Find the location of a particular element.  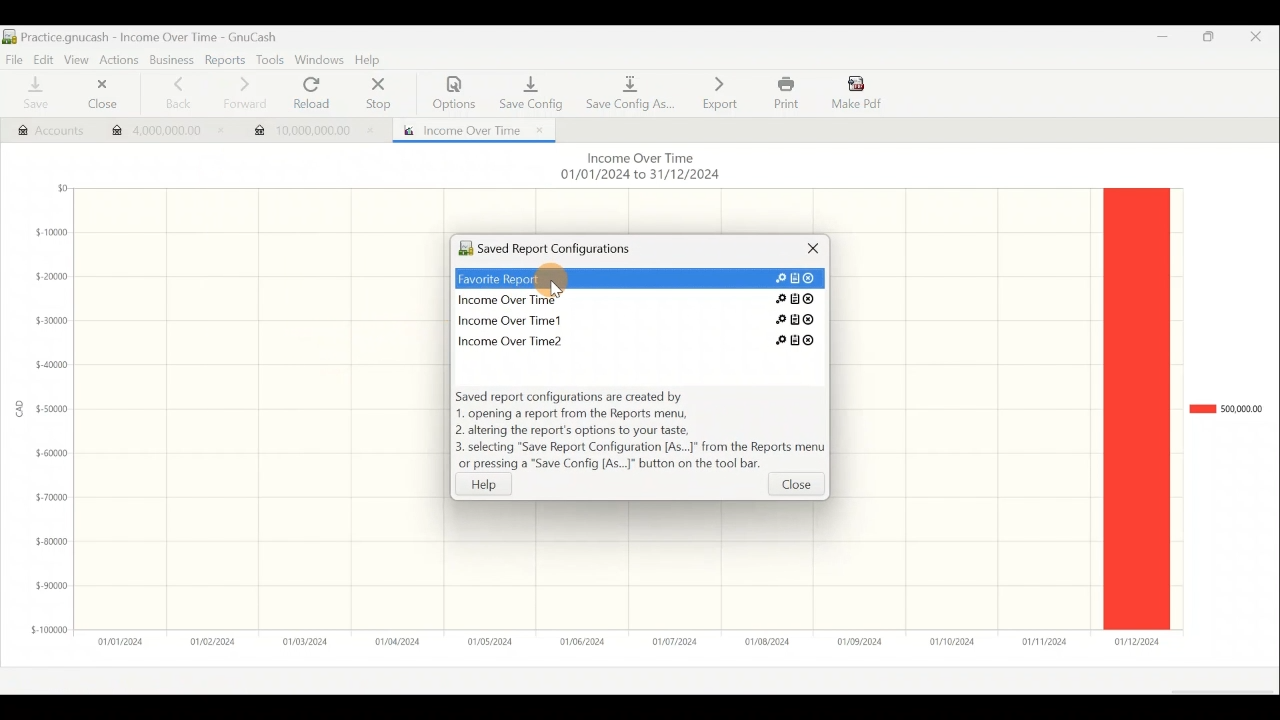

Maximize is located at coordinates (1210, 40).